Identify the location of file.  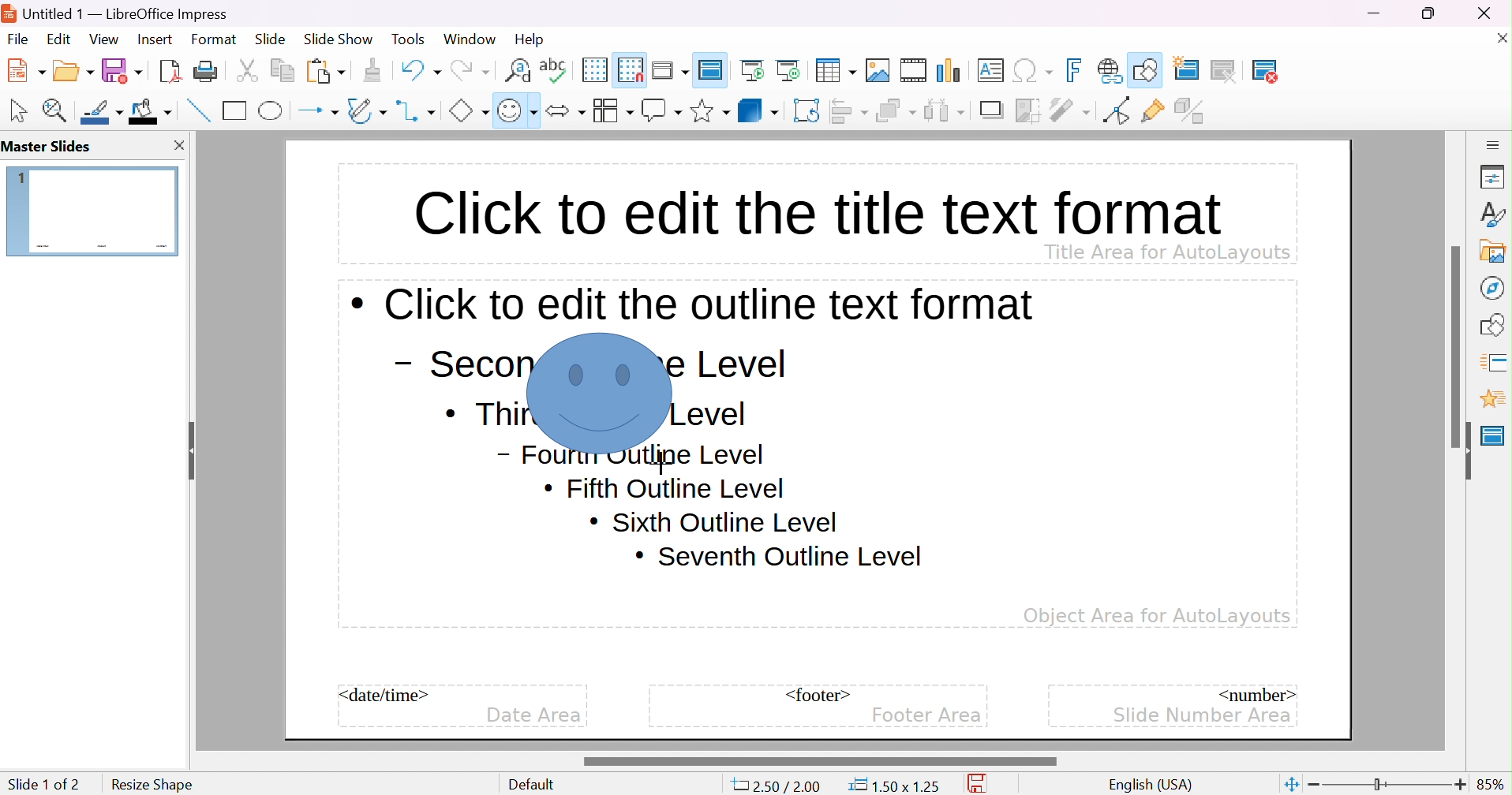
(18, 39).